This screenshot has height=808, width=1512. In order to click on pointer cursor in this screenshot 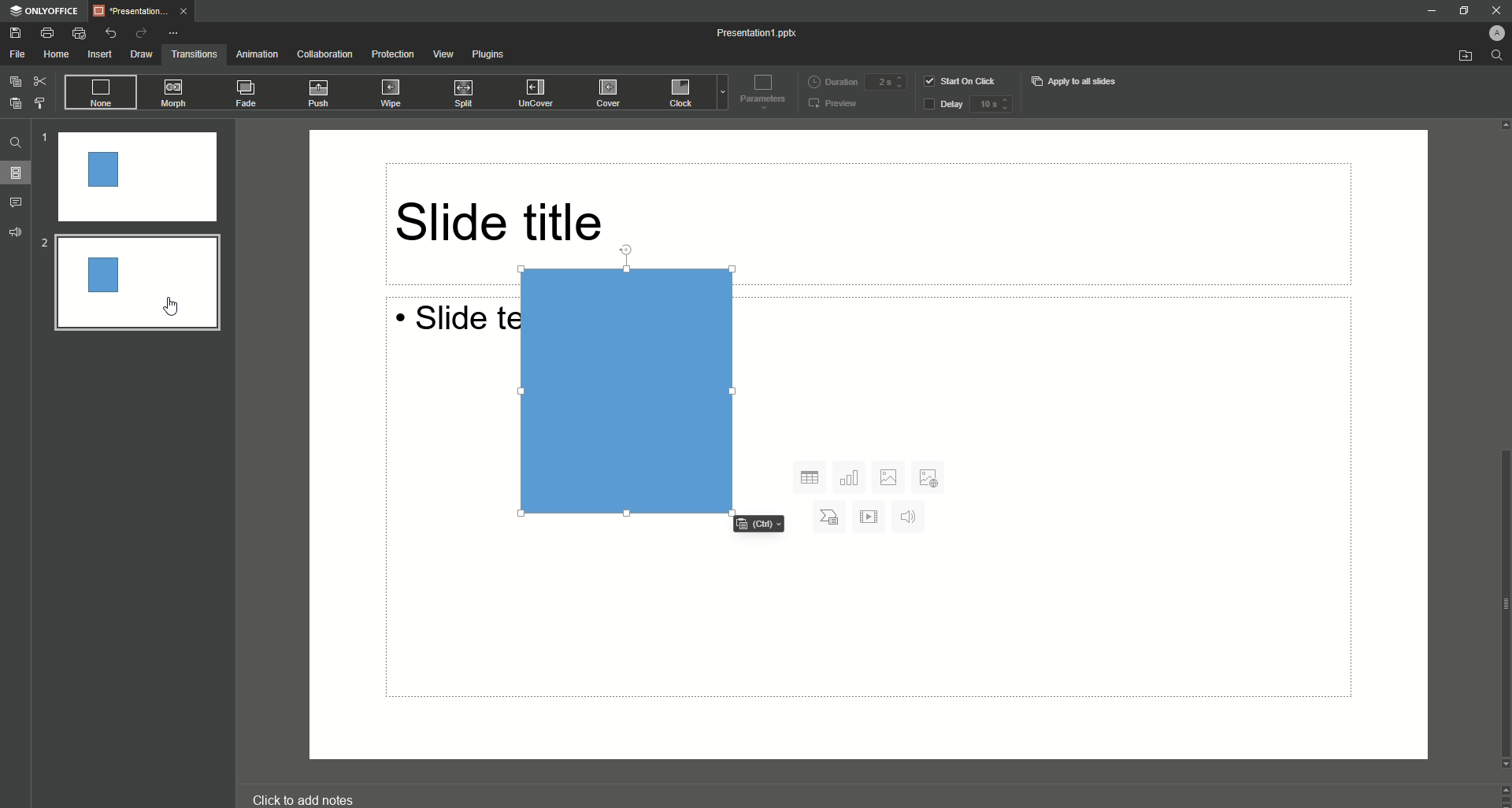, I will do `click(165, 309)`.